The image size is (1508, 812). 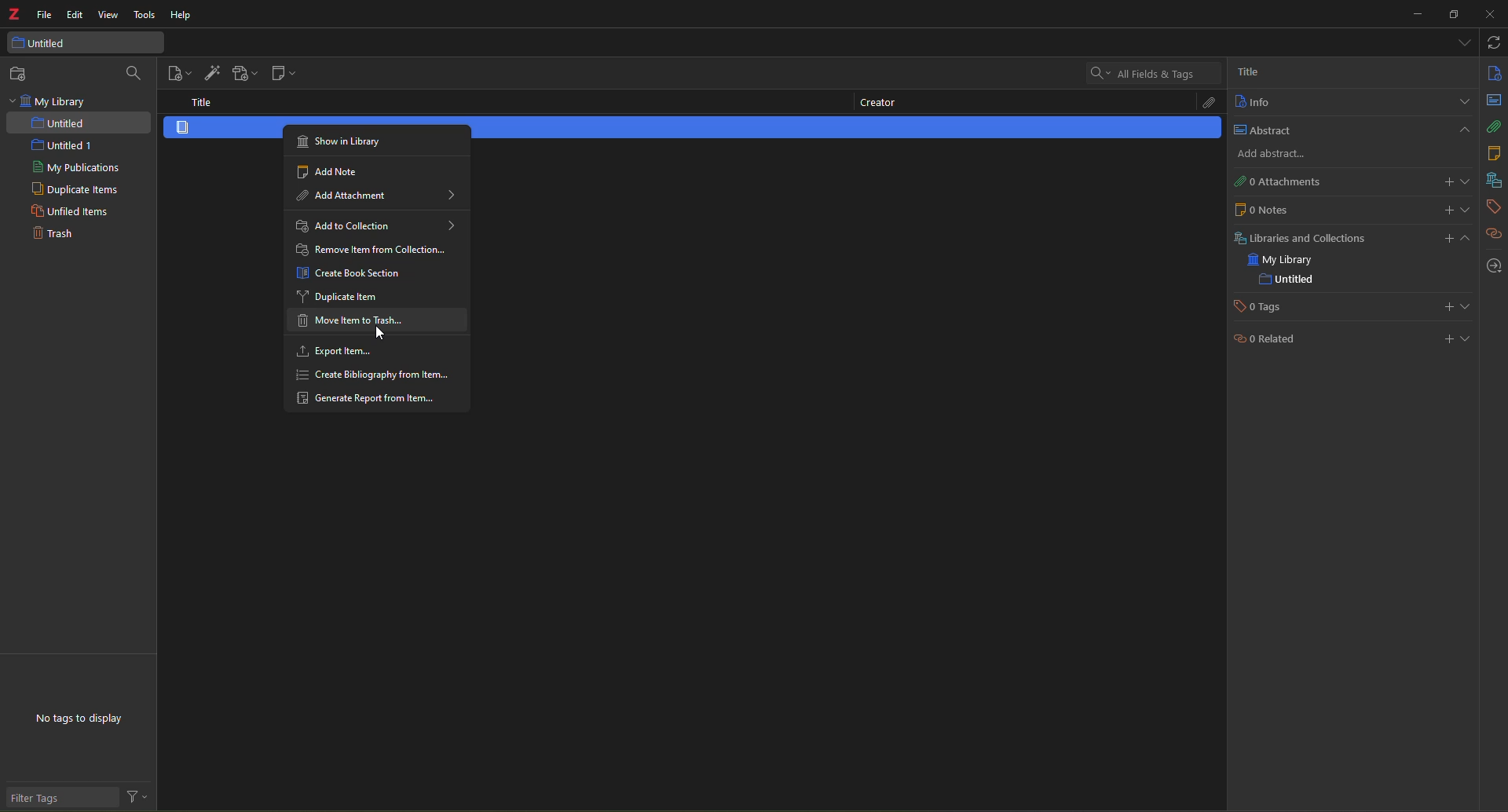 What do you see at coordinates (1462, 41) in the screenshot?
I see `tabs` at bounding box center [1462, 41].